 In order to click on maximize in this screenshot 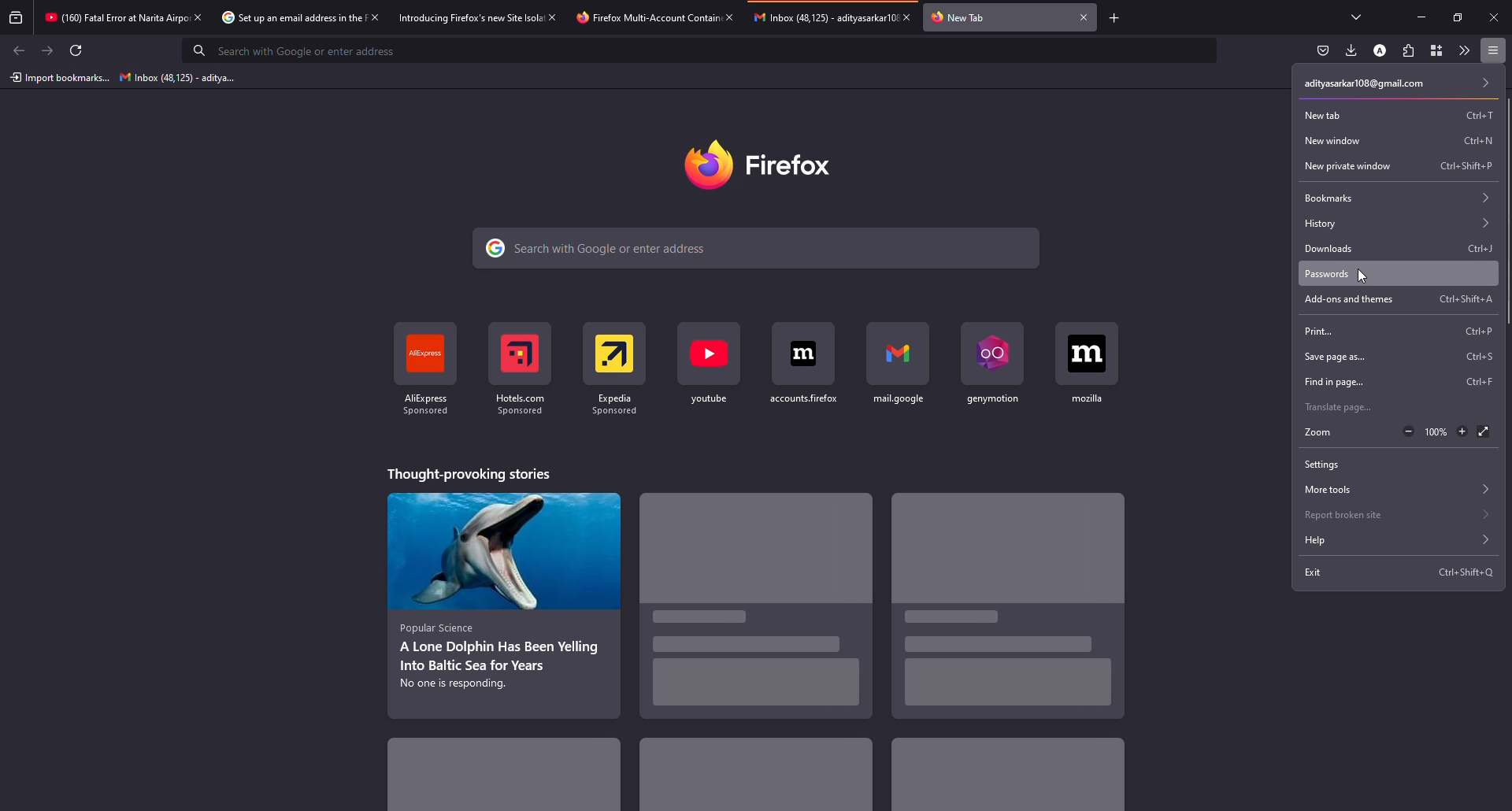, I will do `click(1454, 17)`.